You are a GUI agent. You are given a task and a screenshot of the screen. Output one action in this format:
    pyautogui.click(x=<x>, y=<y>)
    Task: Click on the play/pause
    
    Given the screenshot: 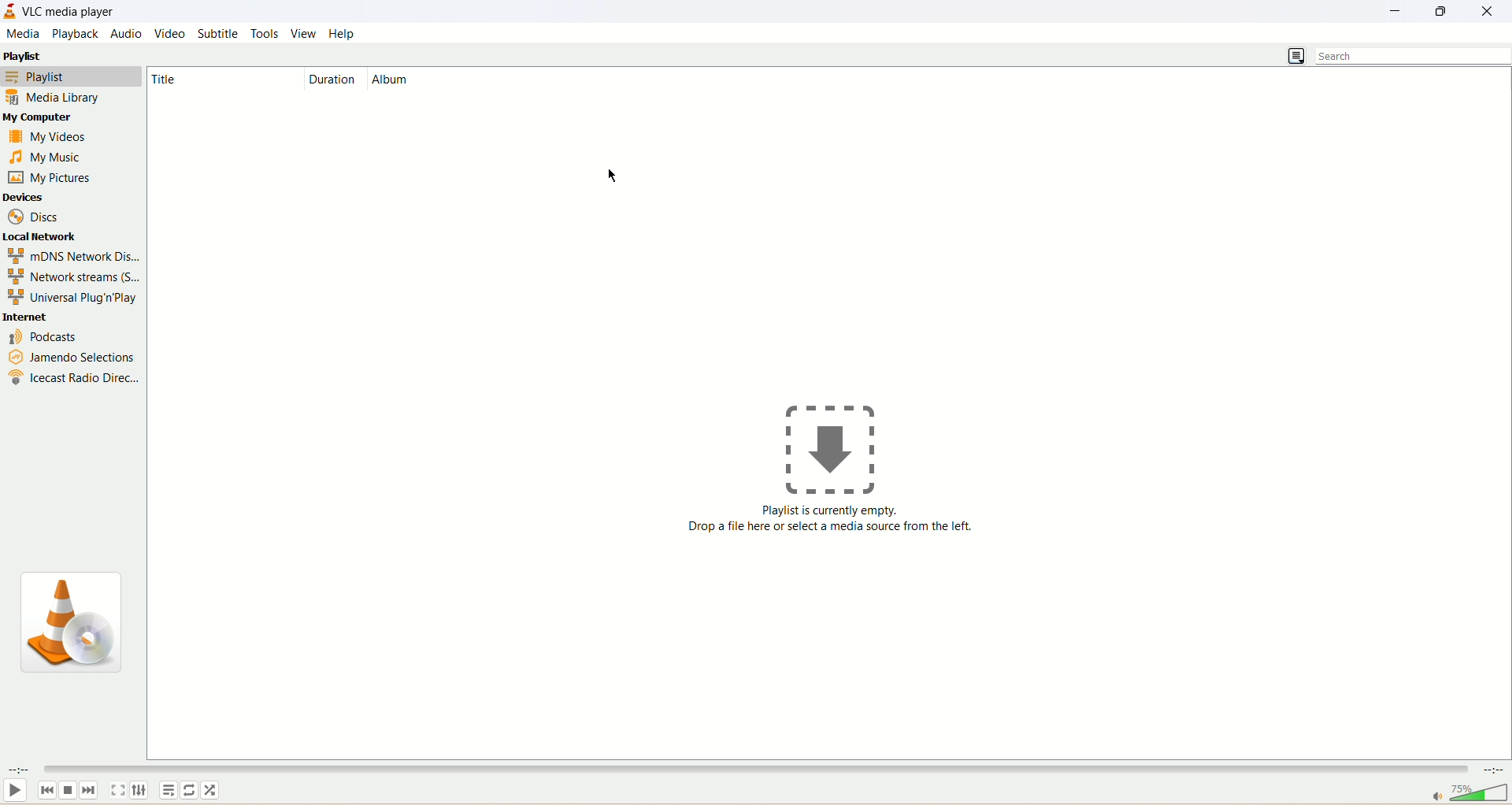 What is the action you would take?
    pyautogui.click(x=16, y=791)
    